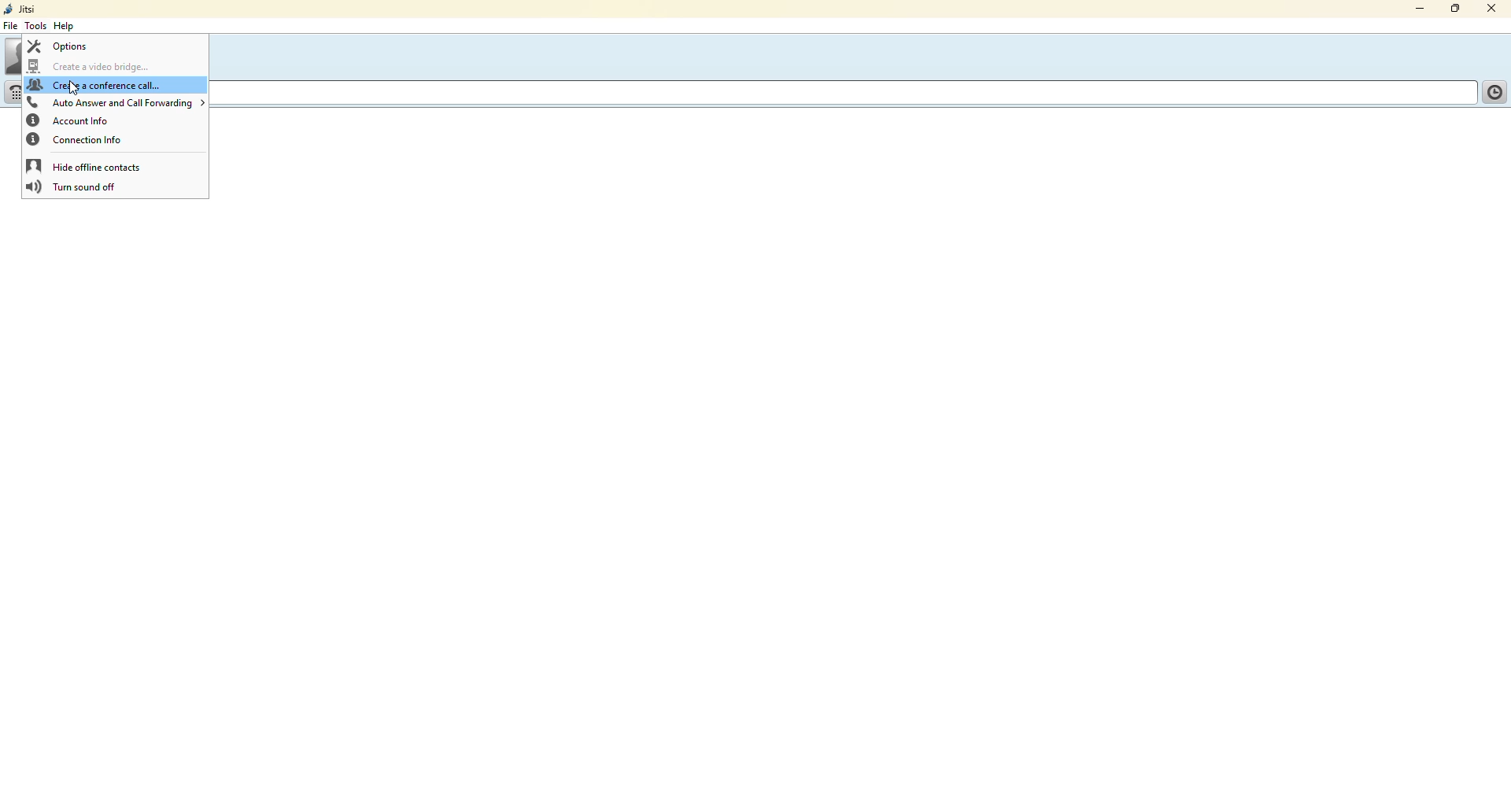 Image resolution: width=1511 pixels, height=812 pixels. What do you see at coordinates (9, 94) in the screenshot?
I see `dialpad` at bounding box center [9, 94].